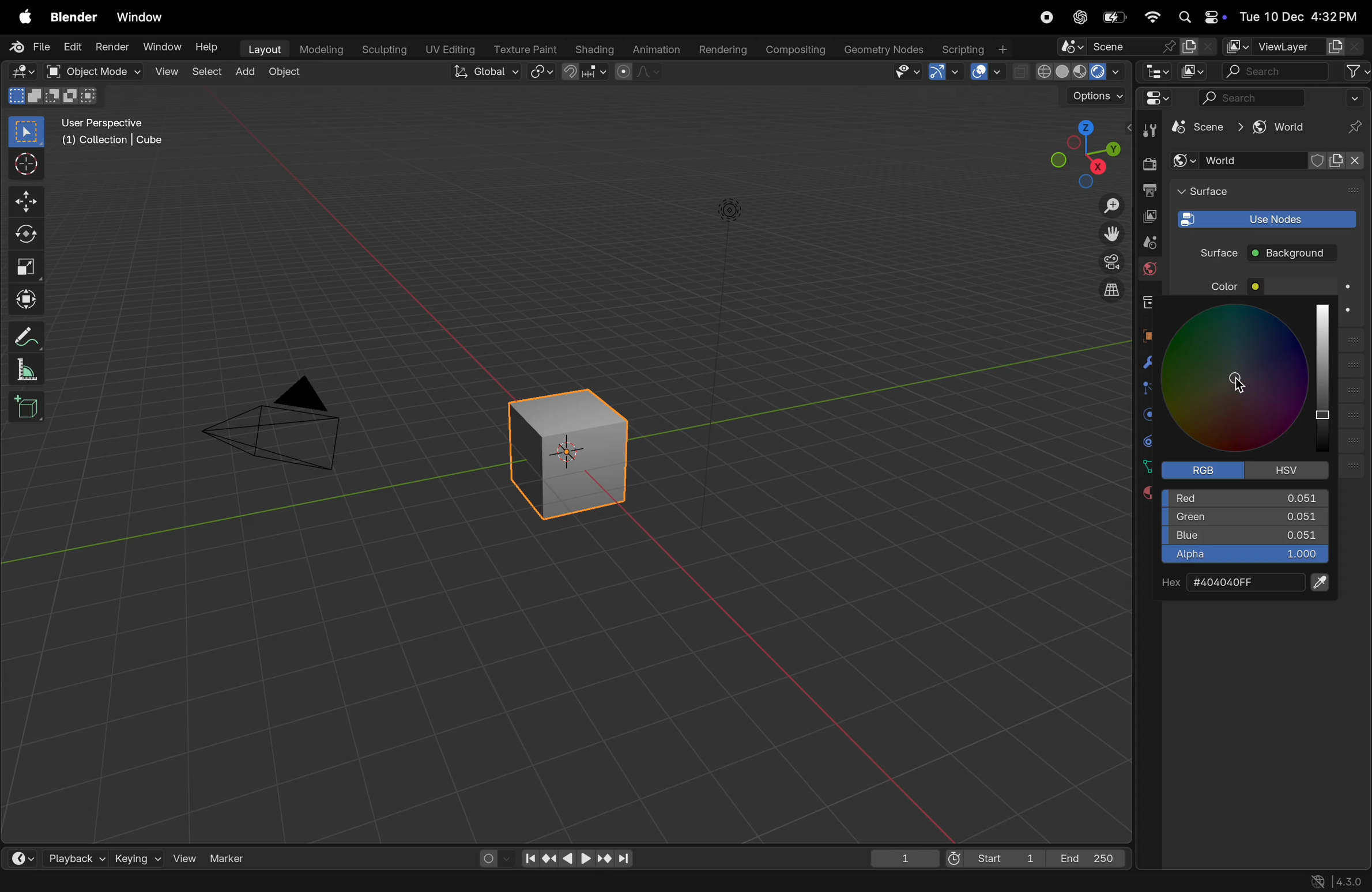  What do you see at coordinates (27, 266) in the screenshot?
I see `shape` at bounding box center [27, 266].